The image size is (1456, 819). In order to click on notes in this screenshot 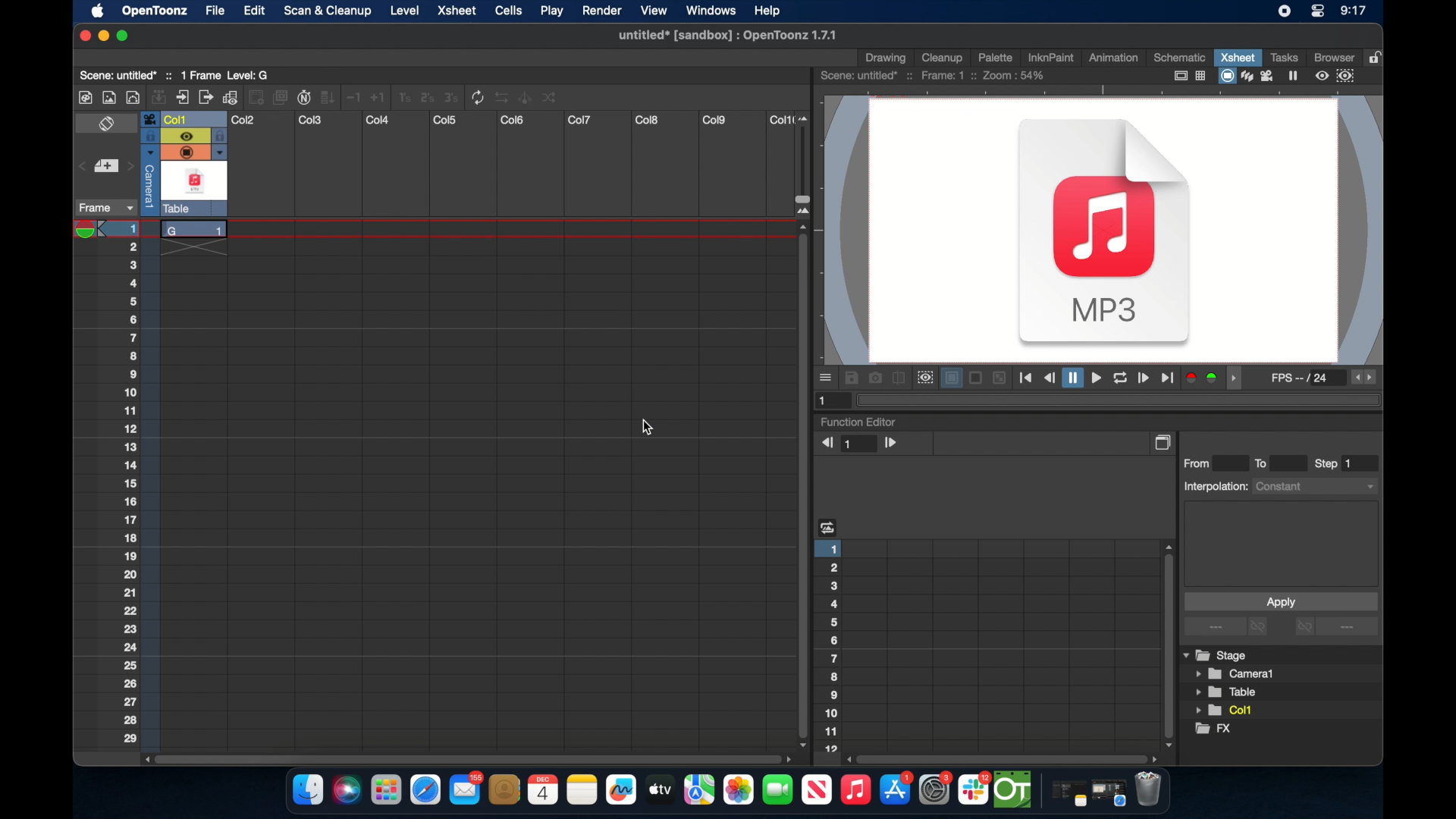, I will do `click(582, 790)`.